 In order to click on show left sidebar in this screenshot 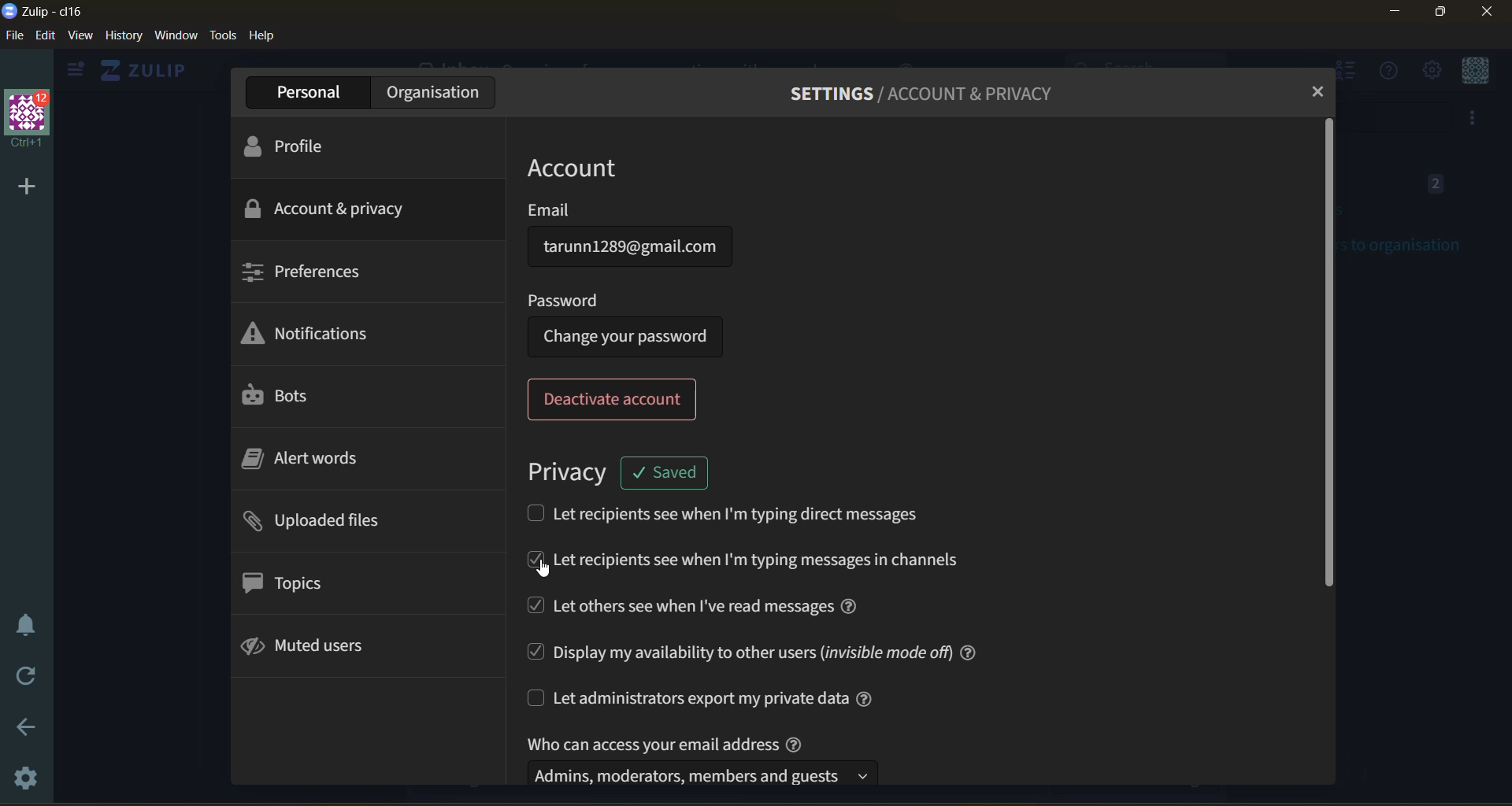, I will do `click(72, 70)`.